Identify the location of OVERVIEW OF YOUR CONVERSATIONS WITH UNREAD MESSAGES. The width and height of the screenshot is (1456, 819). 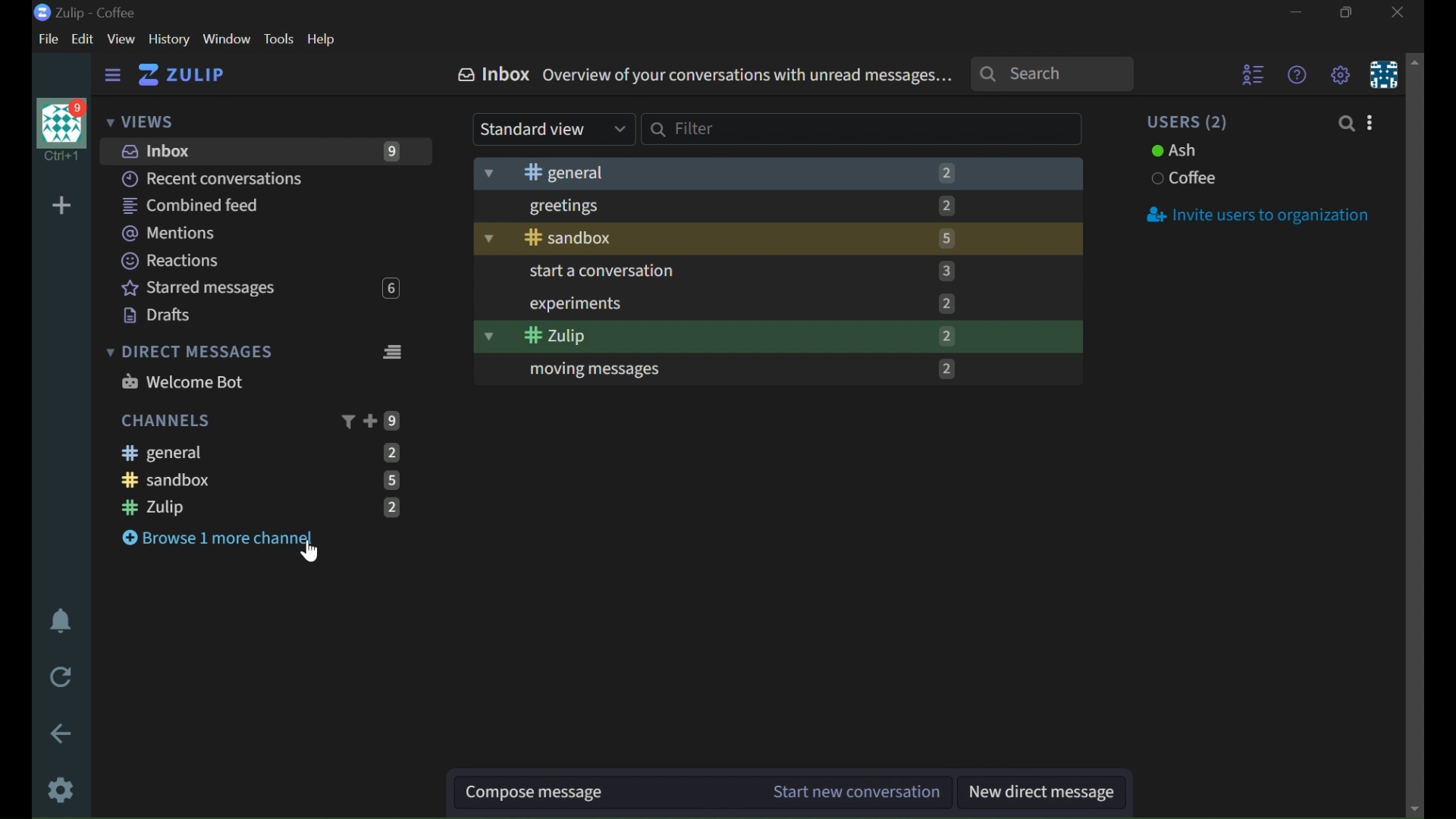
(745, 76).